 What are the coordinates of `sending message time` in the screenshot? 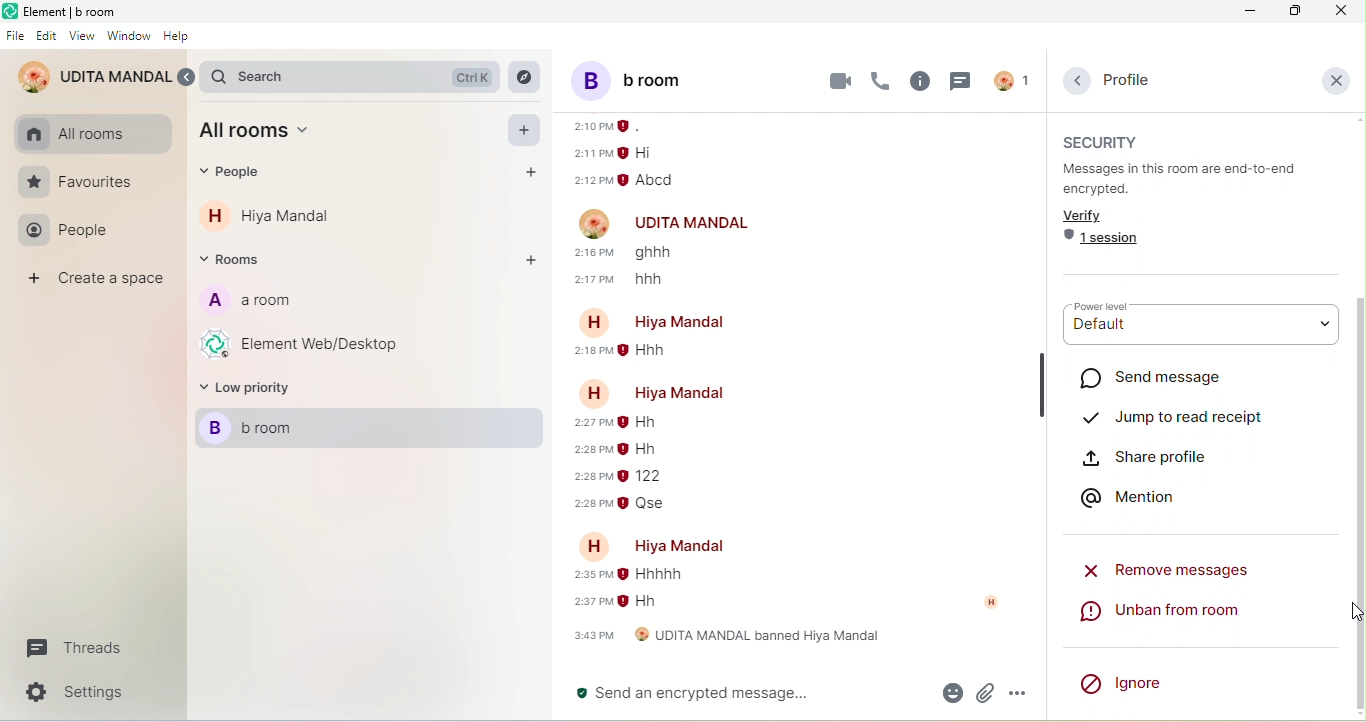 It's located at (588, 603).